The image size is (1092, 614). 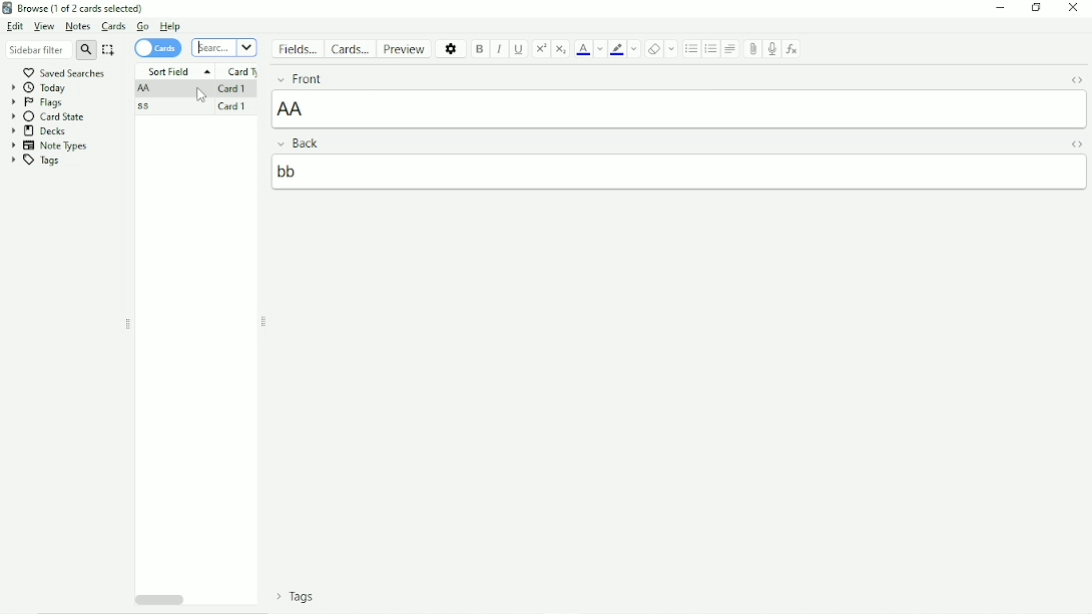 I want to click on Equations, so click(x=793, y=48).